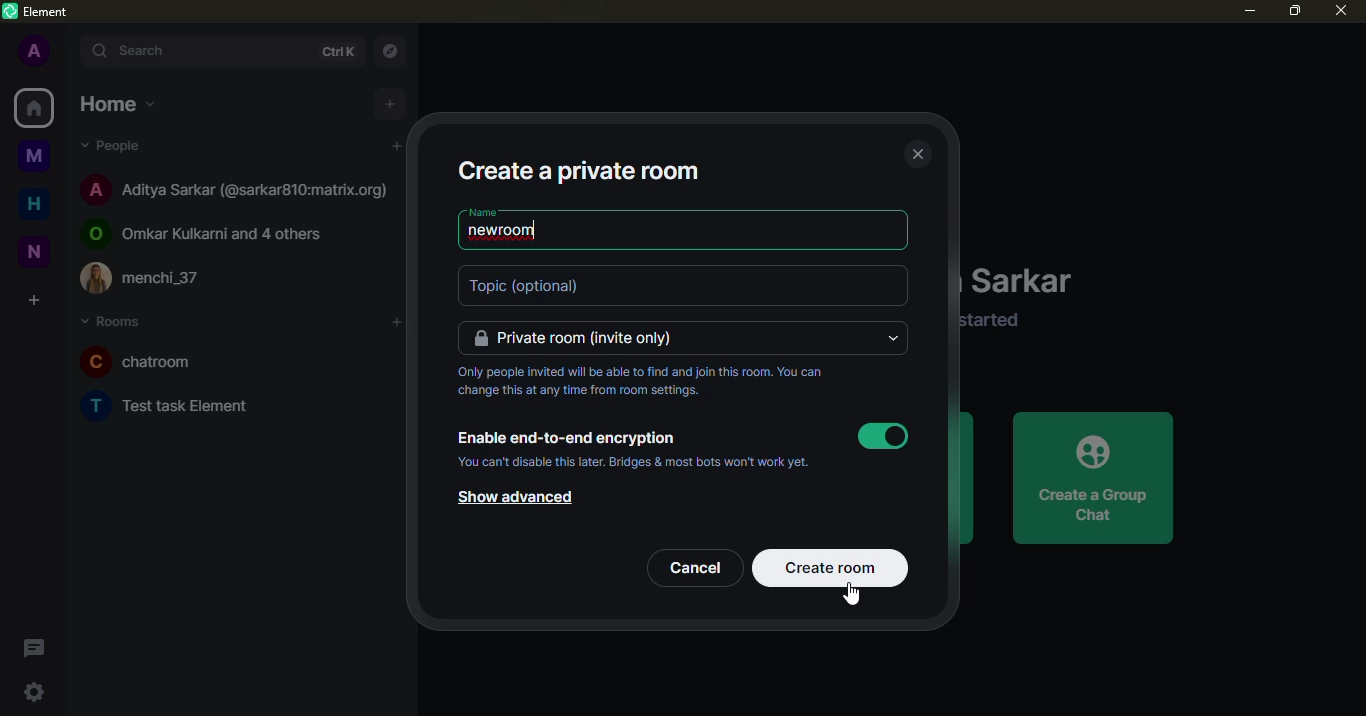 This screenshot has width=1366, height=716. Describe the element at coordinates (916, 152) in the screenshot. I see `close` at that location.